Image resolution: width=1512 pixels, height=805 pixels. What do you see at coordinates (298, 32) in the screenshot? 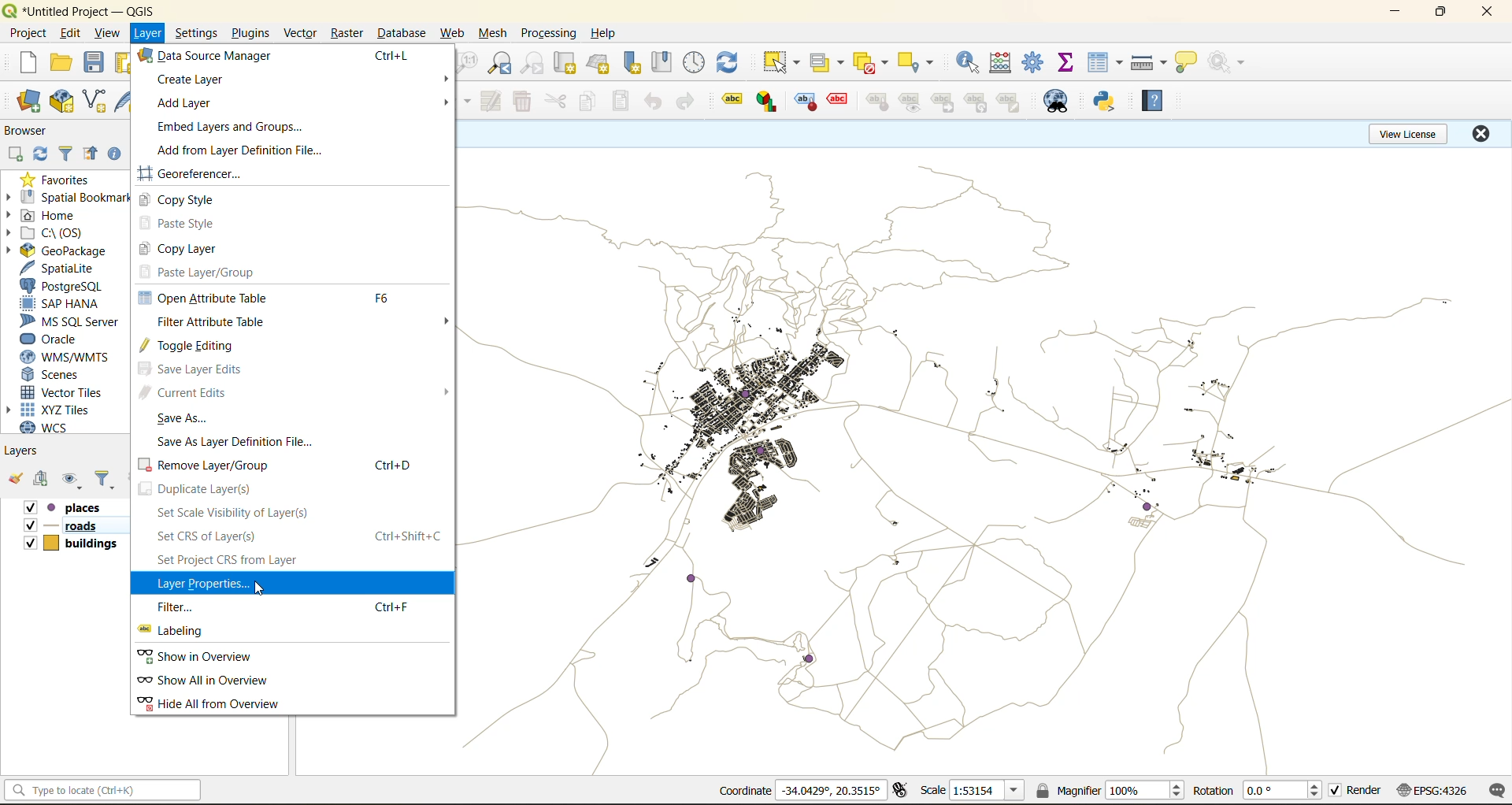
I see `vector` at bounding box center [298, 32].